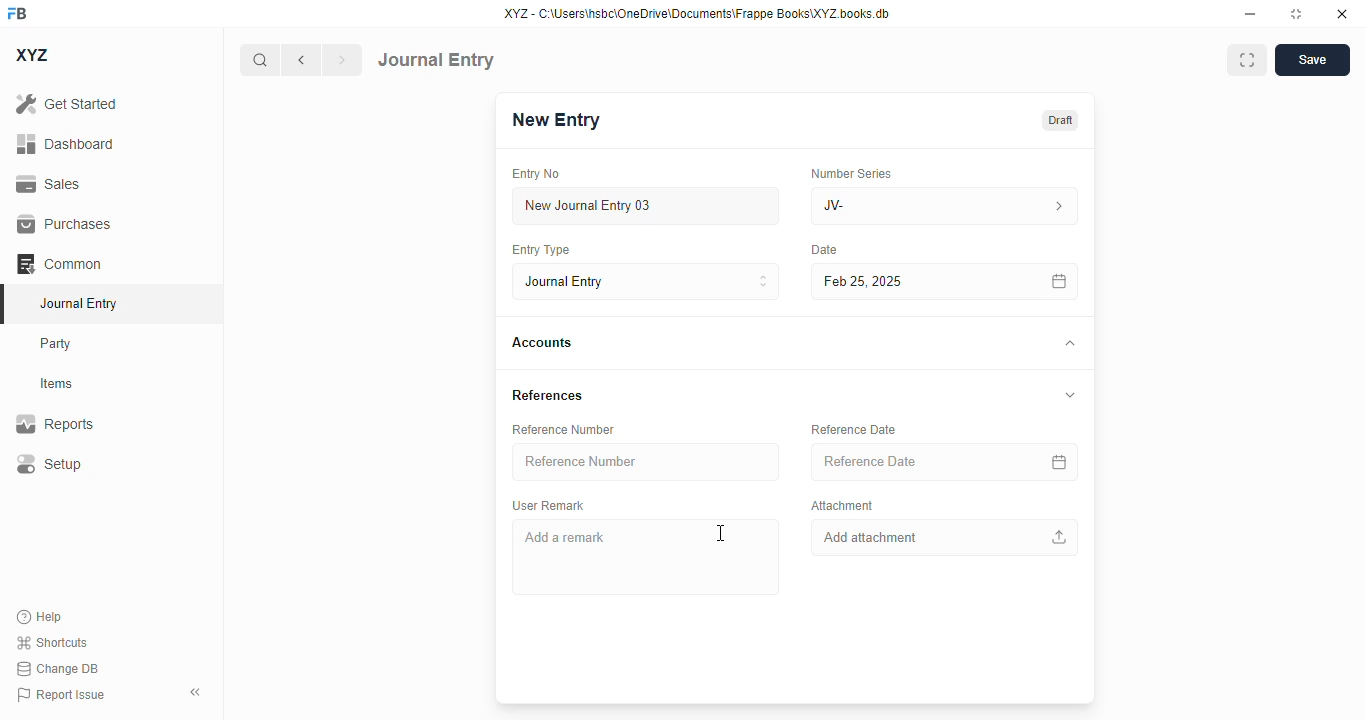 The width and height of the screenshot is (1366, 720). Describe the element at coordinates (301, 60) in the screenshot. I see `previous` at that location.